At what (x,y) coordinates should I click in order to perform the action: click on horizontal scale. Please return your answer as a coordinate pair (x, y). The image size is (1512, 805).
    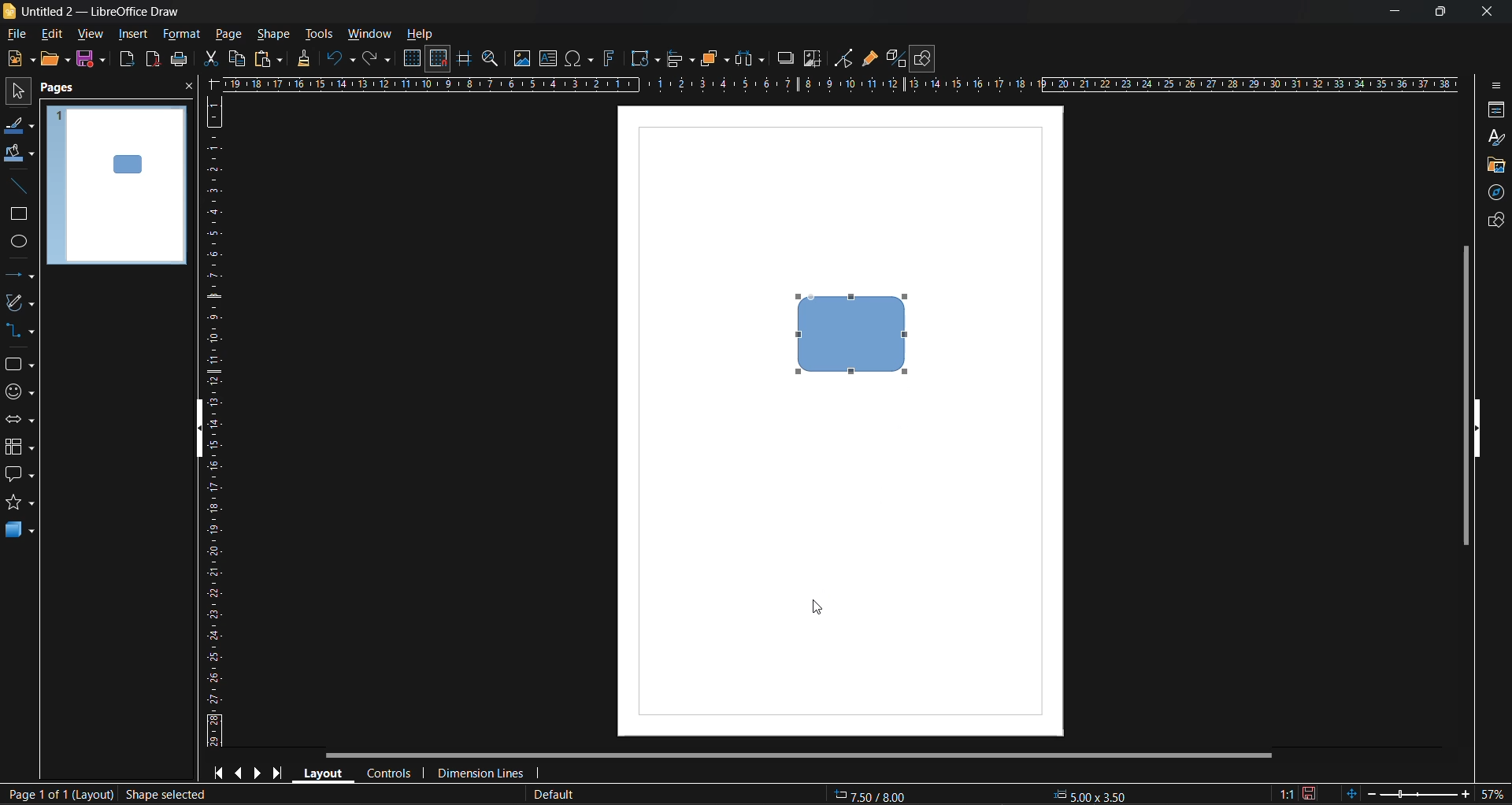
    Looking at the image, I should click on (839, 84).